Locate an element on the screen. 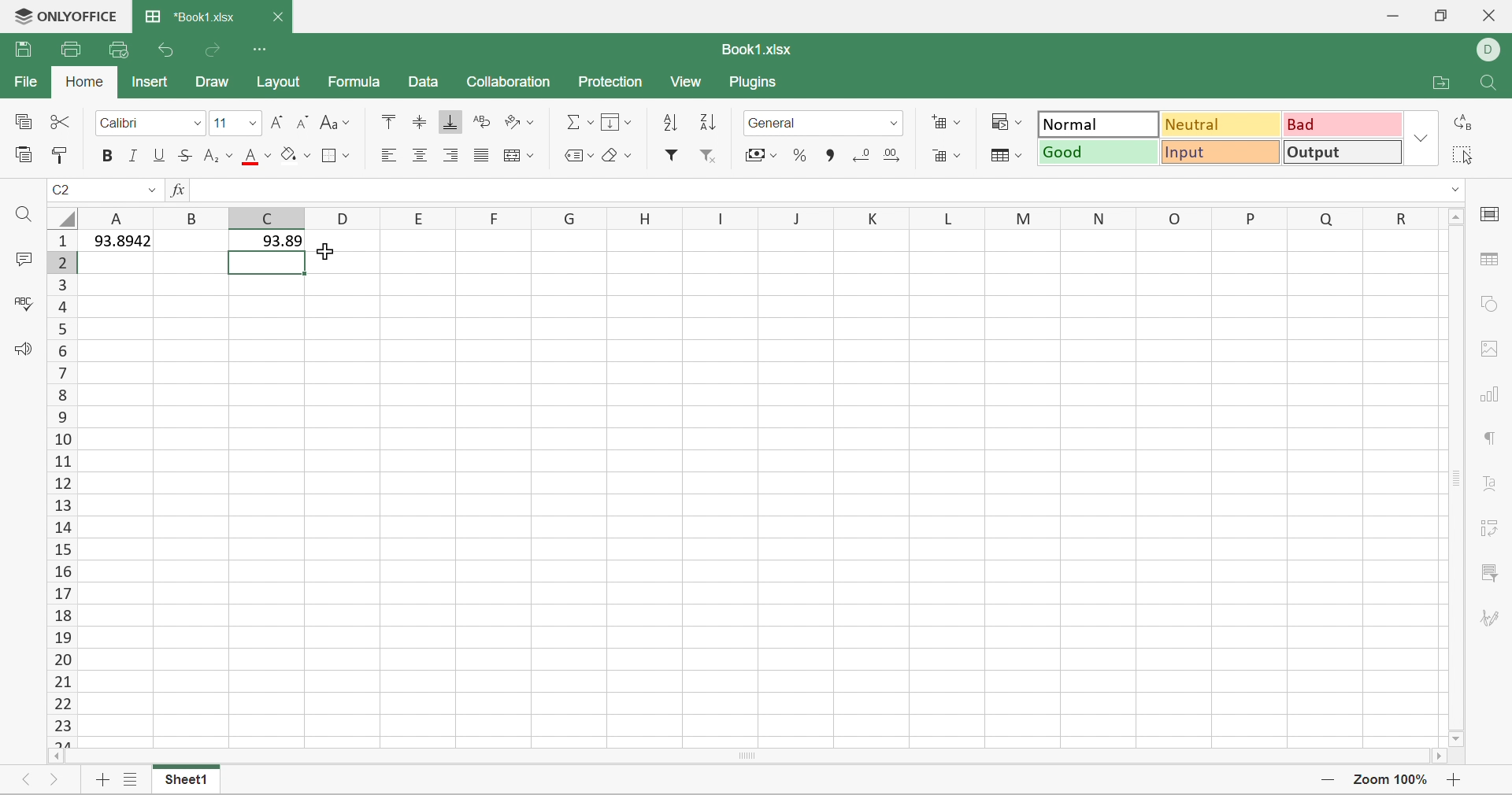 The image size is (1512, 795). *Book1.xlsx is located at coordinates (188, 17).